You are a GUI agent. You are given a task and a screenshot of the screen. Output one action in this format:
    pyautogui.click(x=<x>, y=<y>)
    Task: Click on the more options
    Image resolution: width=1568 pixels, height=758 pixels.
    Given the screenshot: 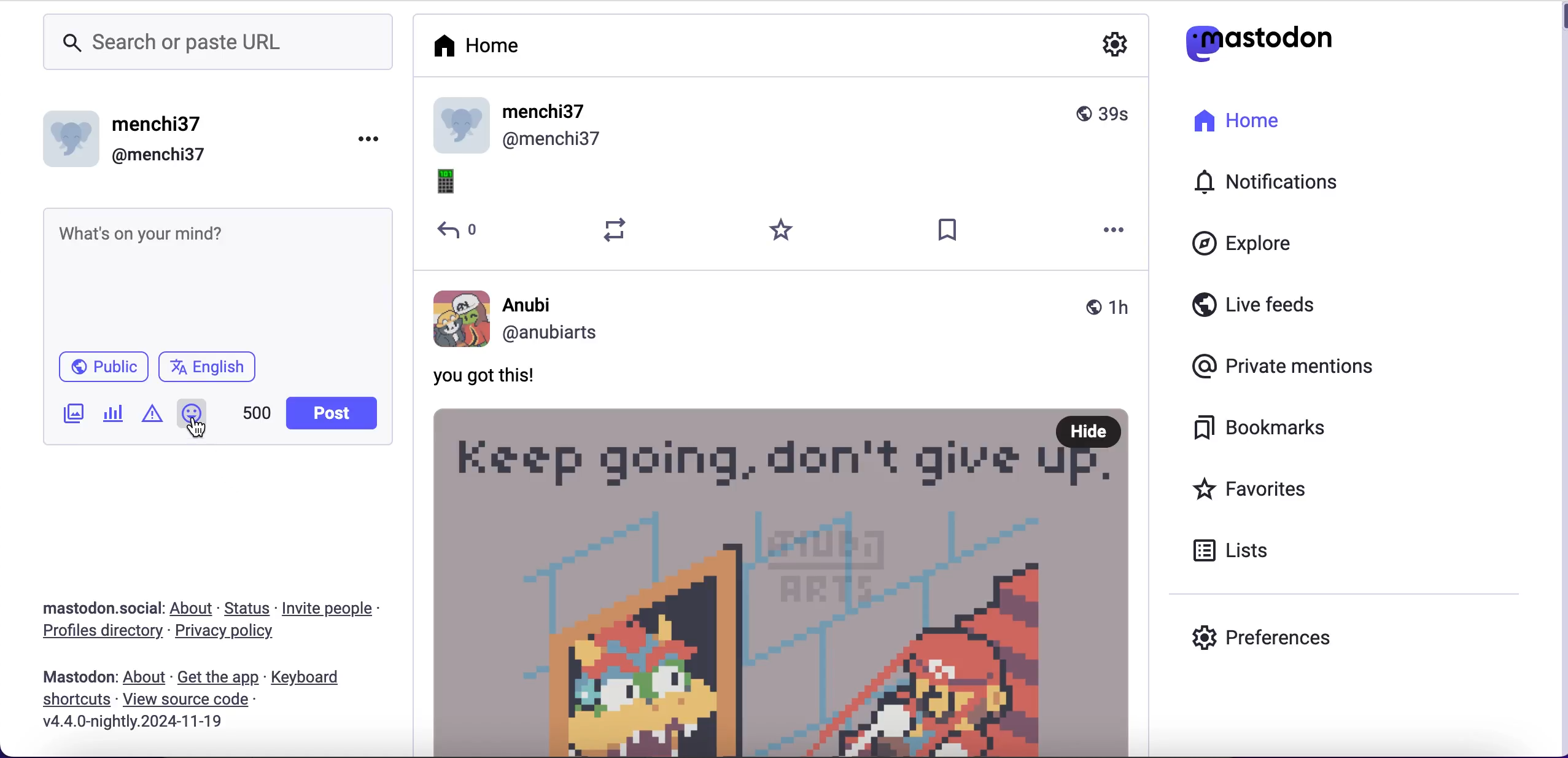 What is the action you would take?
    pyautogui.click(x=1116, y=231)
    